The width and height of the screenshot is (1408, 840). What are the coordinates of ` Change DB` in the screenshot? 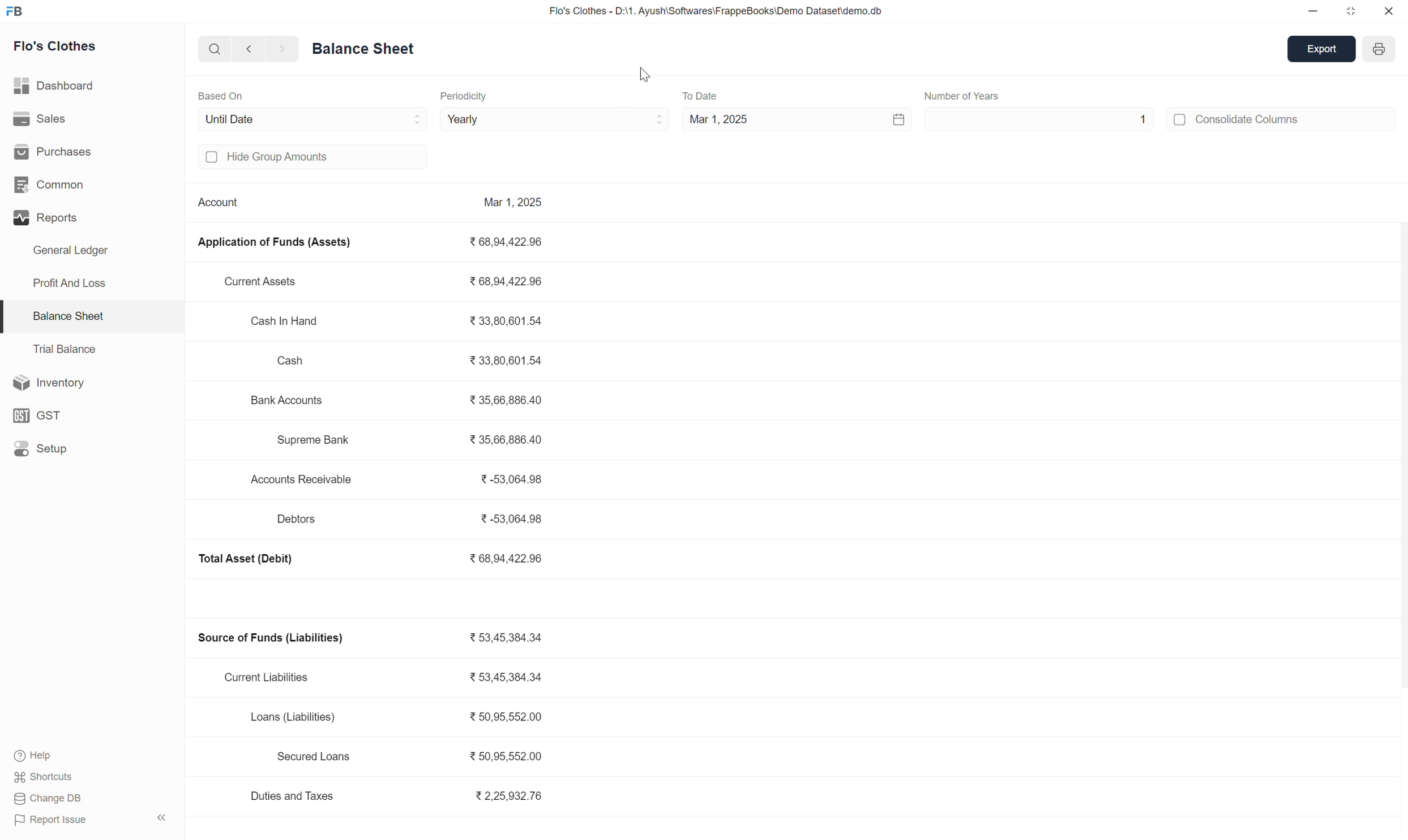 It's located at (46, 800).